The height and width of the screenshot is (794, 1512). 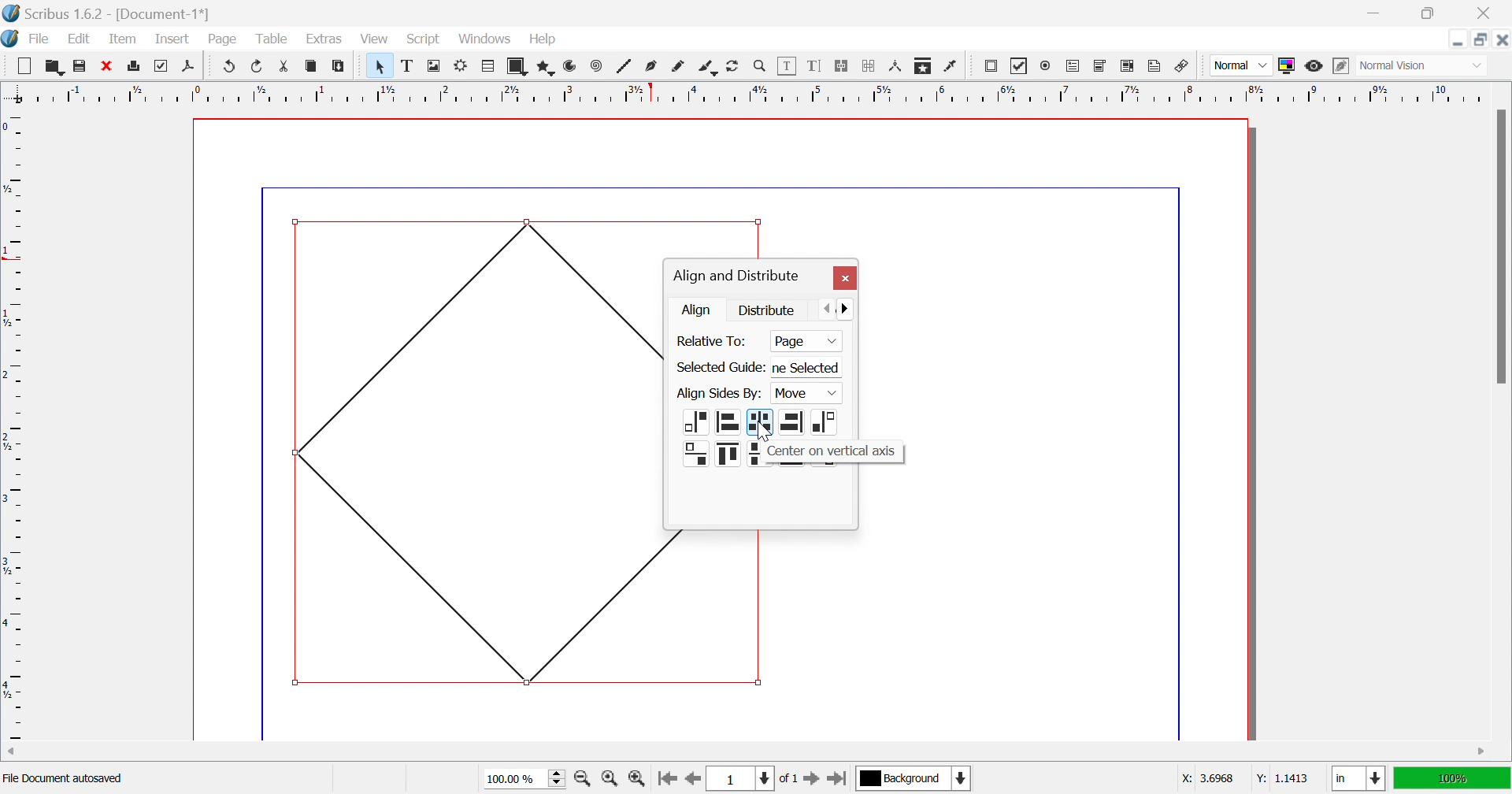 I want to click on Render frame, so click(x=461, y=65).